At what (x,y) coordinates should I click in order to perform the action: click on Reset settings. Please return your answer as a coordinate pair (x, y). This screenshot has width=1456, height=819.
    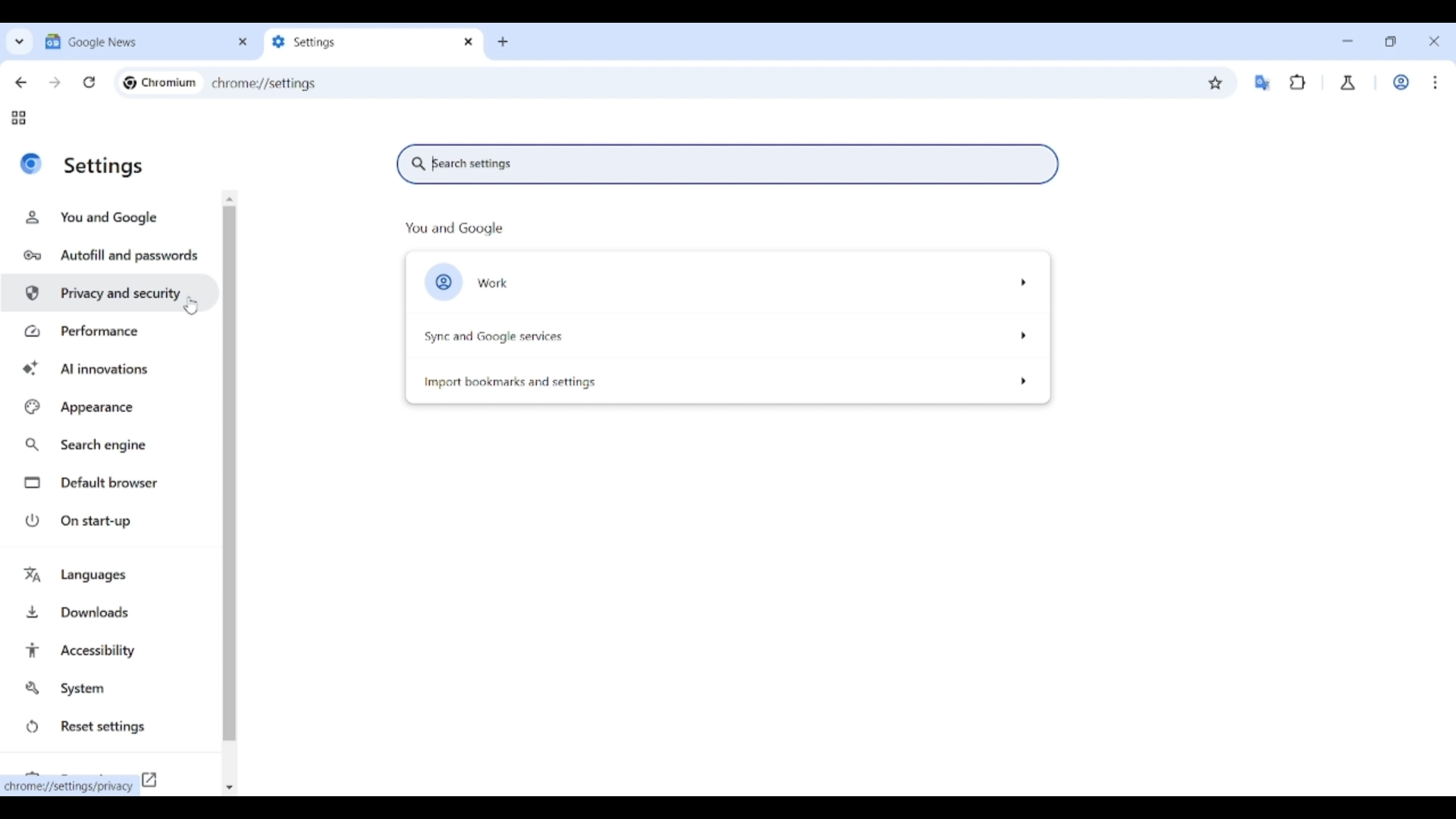
    Looking at the image, I should click on (110, 727).